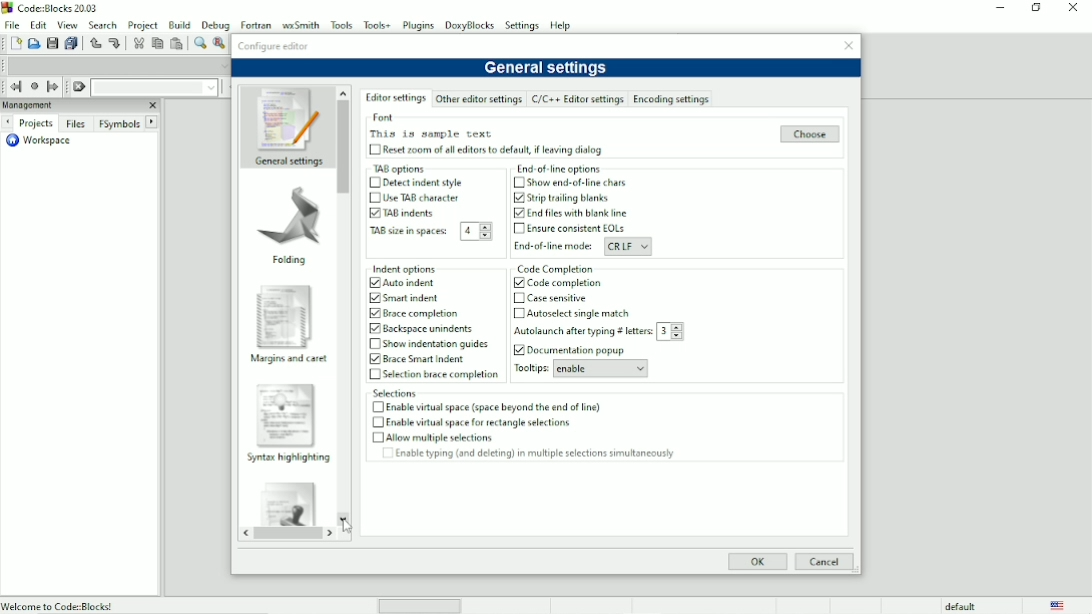  What do you see at coordinates (412, 168) in the screenshot?
I see `TAB options` at bounding box center [412, 168].